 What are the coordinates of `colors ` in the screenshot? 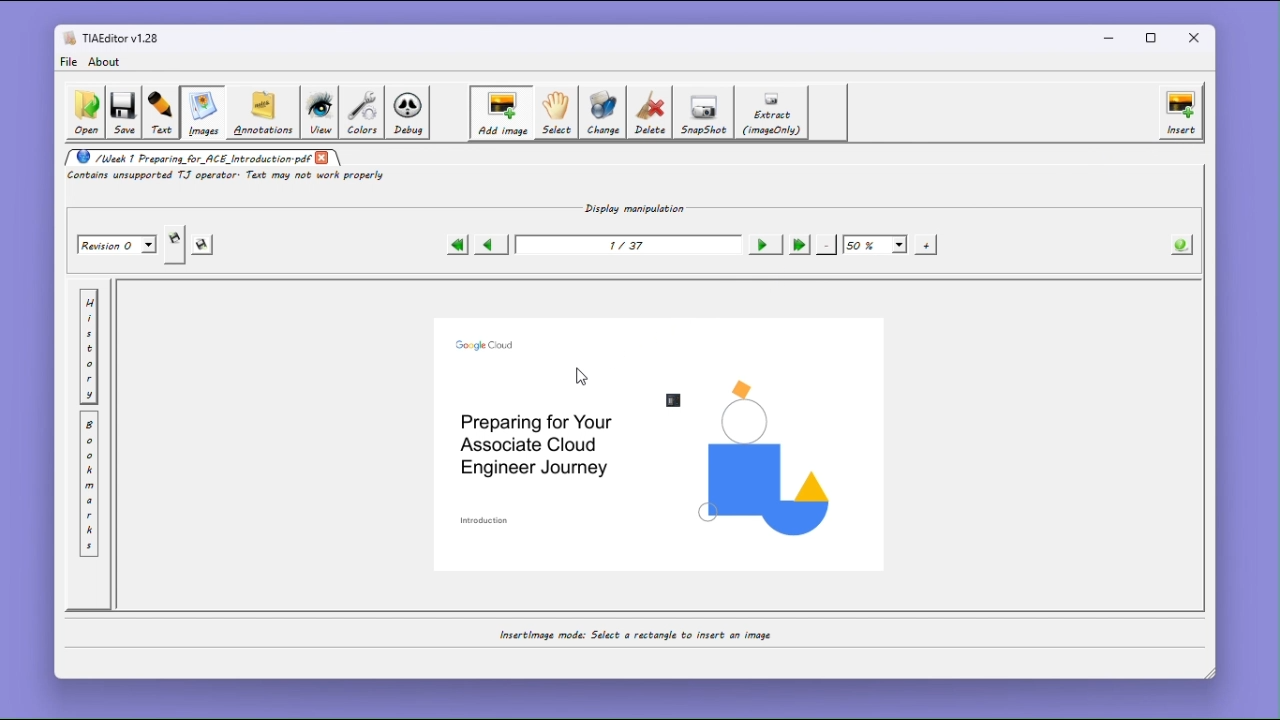 It's located at (362, 112).